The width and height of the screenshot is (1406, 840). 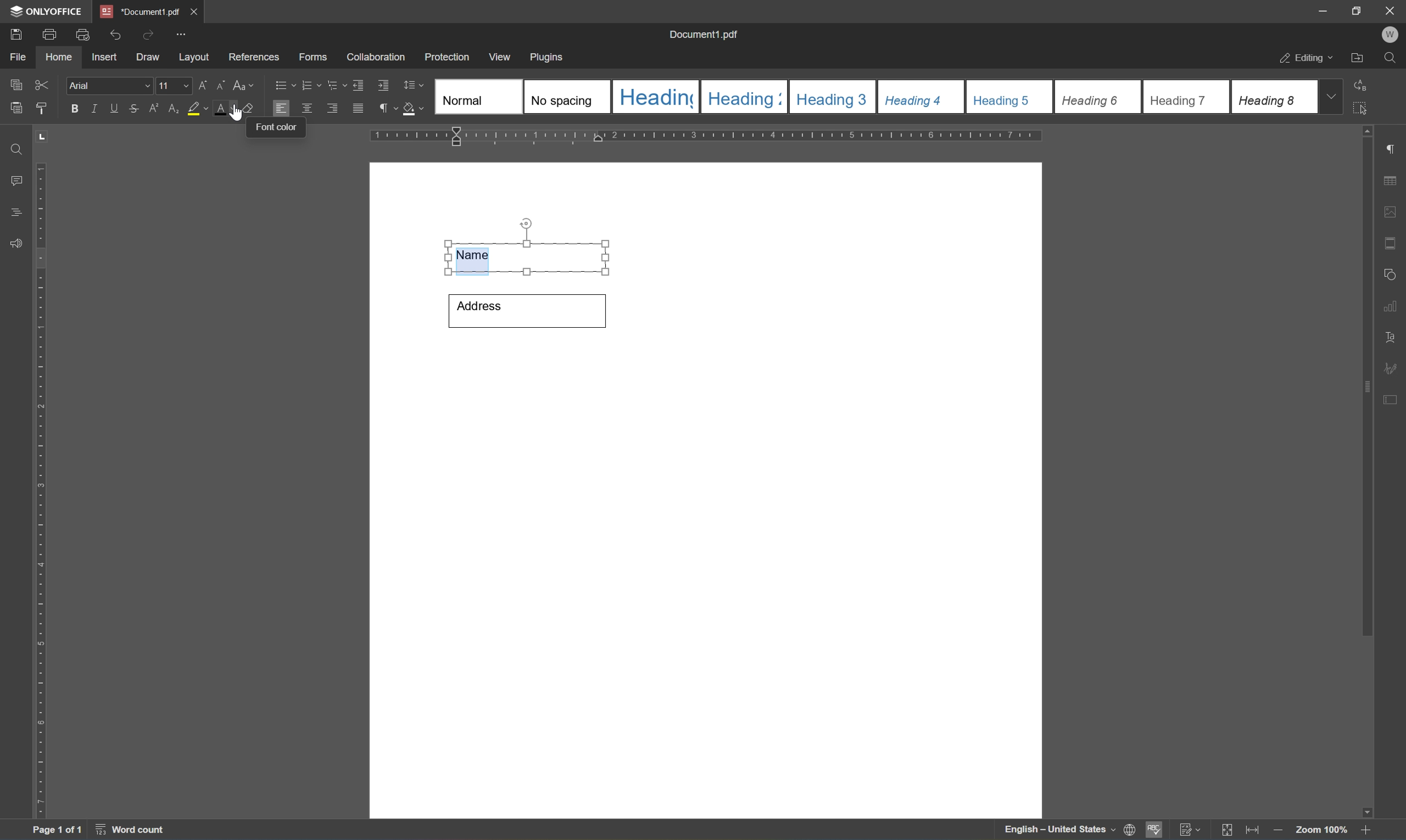 What do you see at coordinates (448, 56) in the screenshot?
I see `protection` at bounding box center [448, 56].